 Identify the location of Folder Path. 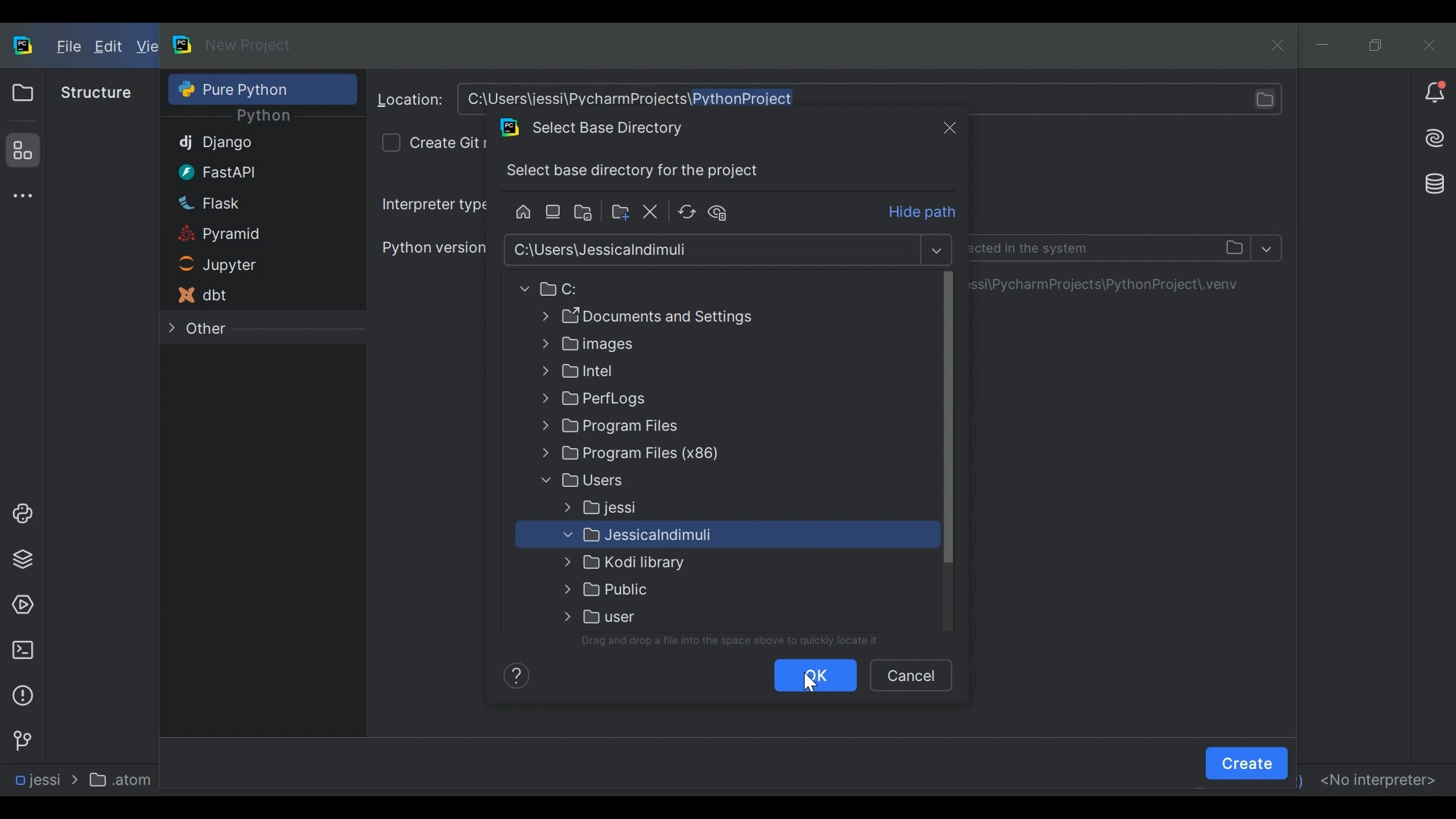
(665, 316).